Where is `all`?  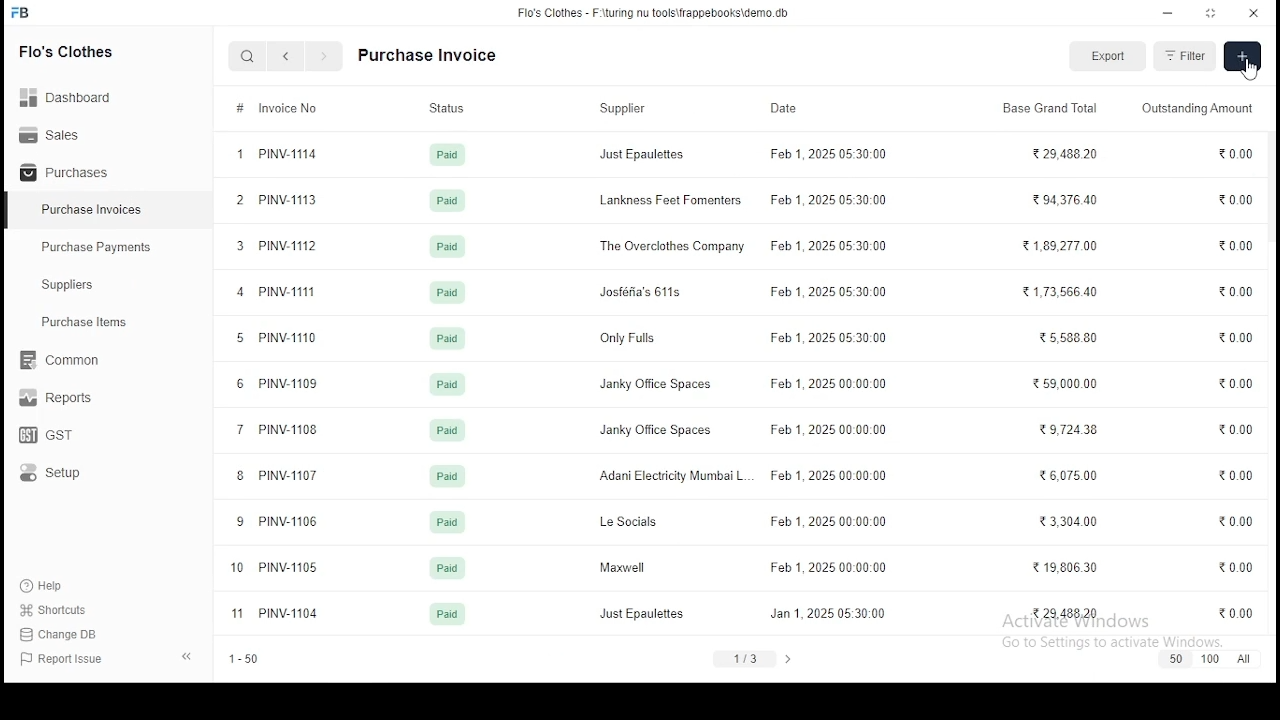 all is located at coordinates (1243, 659).